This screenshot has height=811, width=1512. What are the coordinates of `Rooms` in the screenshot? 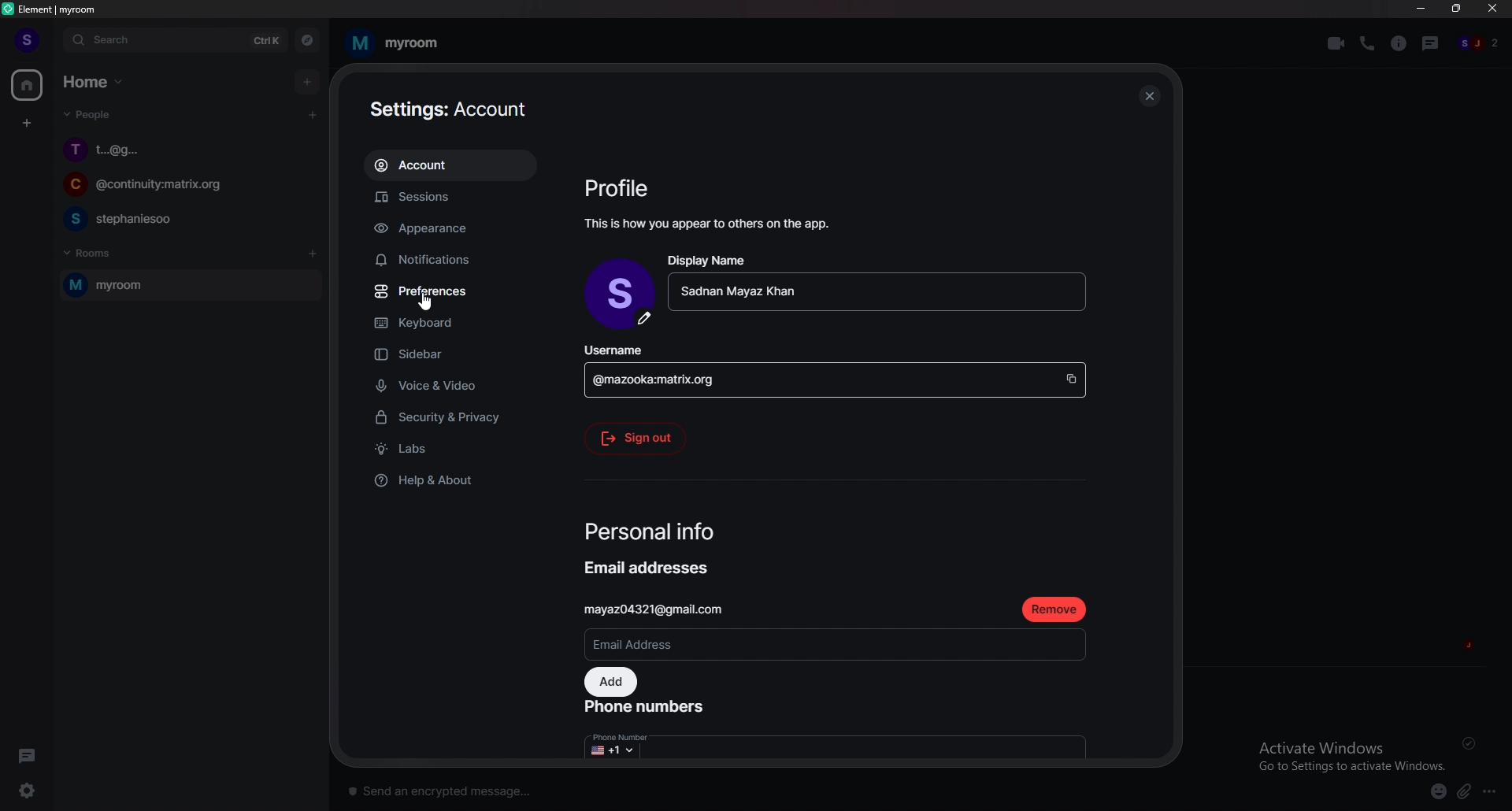 It's located at (91, 251).